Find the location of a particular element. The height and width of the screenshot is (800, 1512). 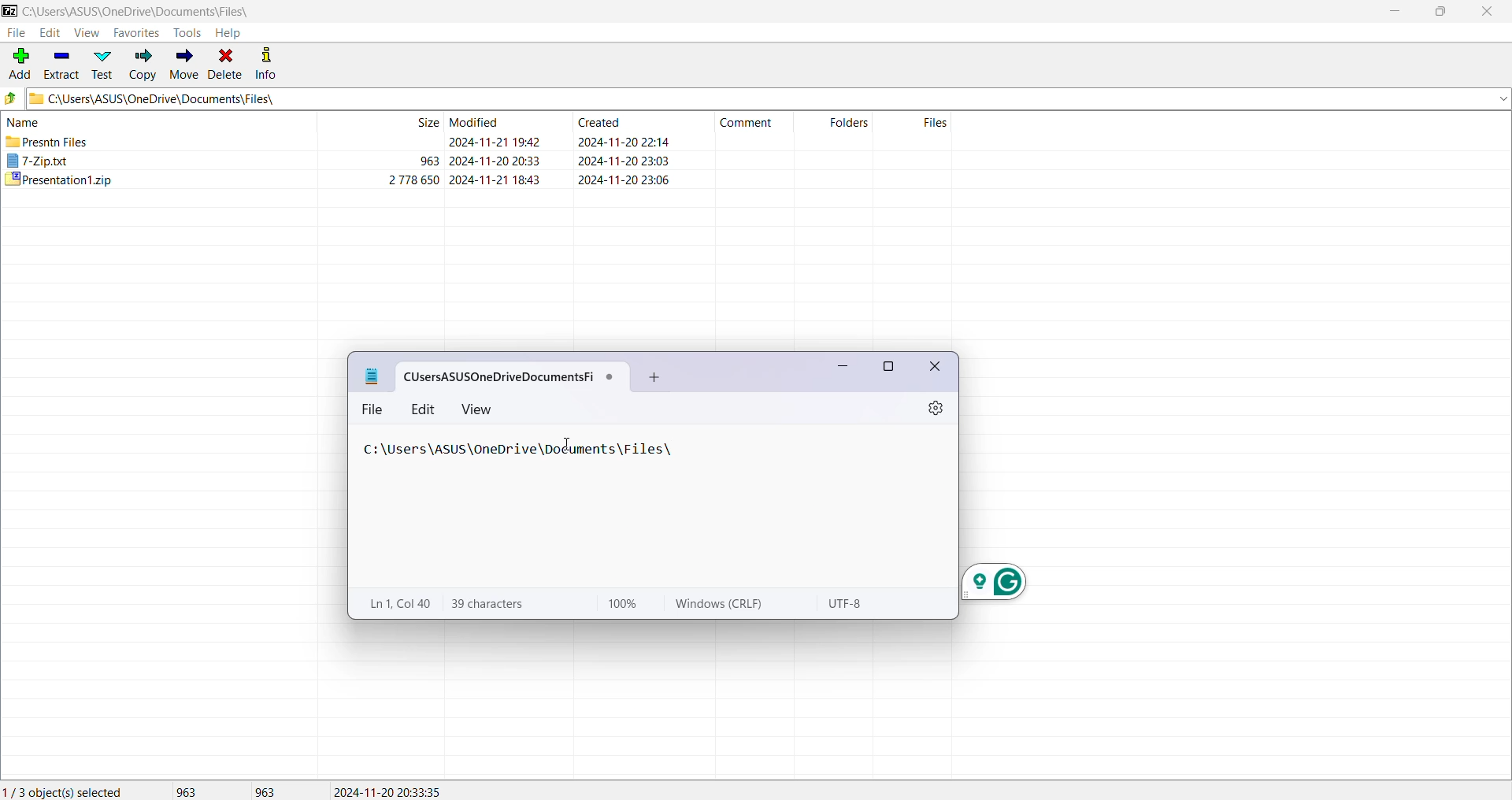

modified is located at coordinates (474, 122).